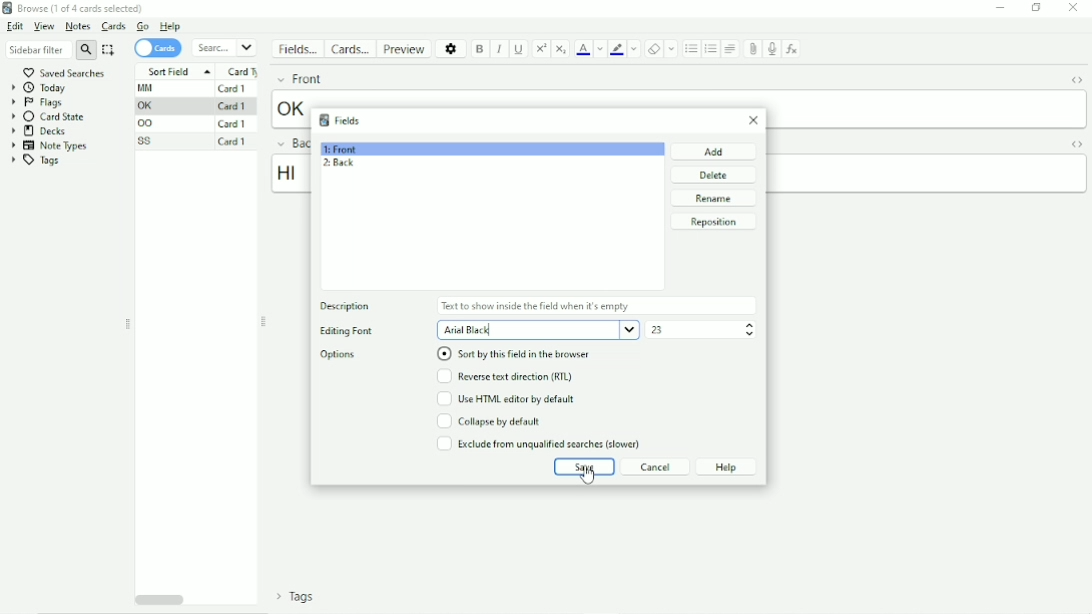  Describe the element at coordinates (299, 52) in the screenshot. I see `Fields` at that location.